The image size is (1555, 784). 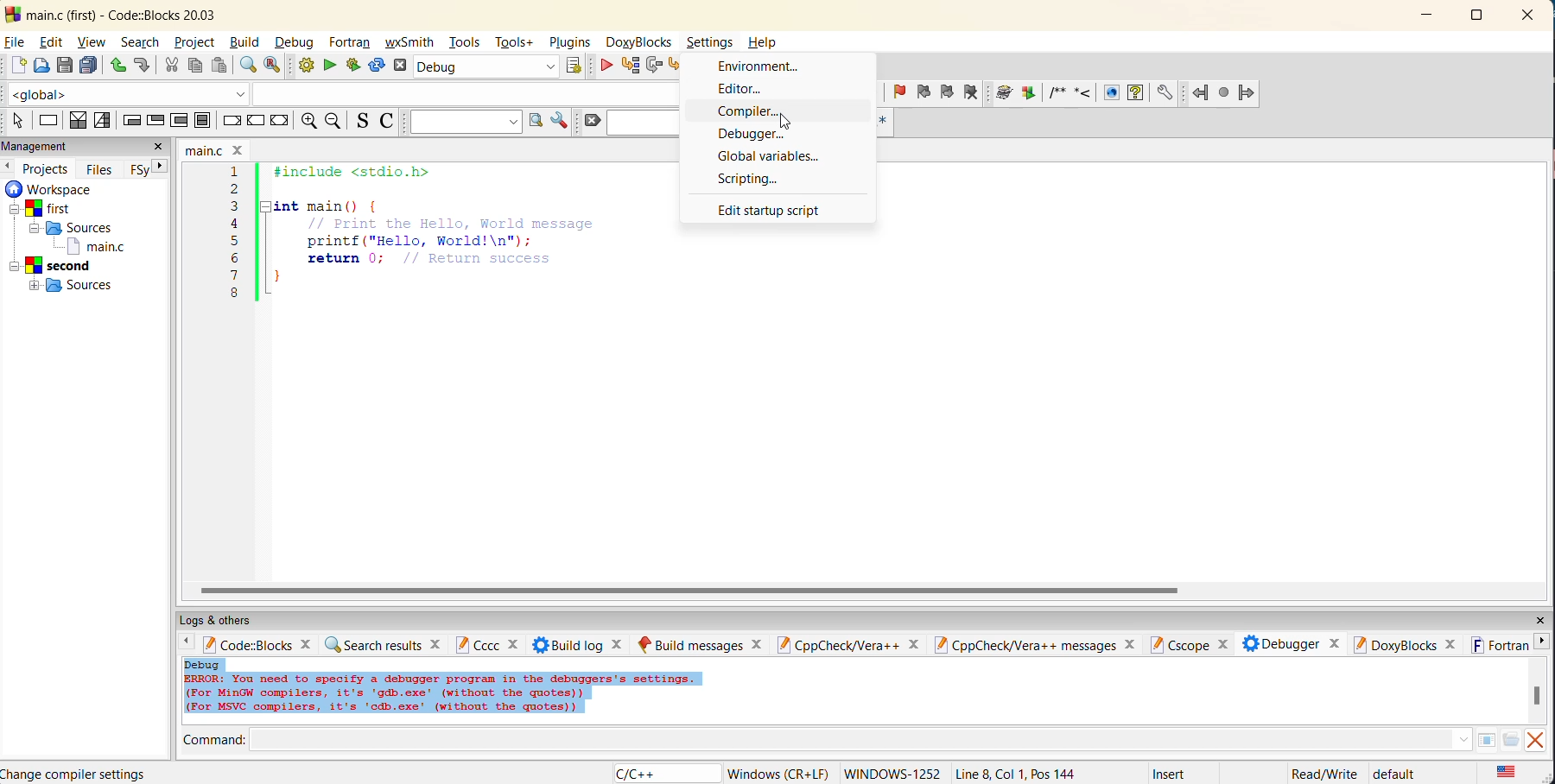 I want to click on management, so click(x=38, y=145).